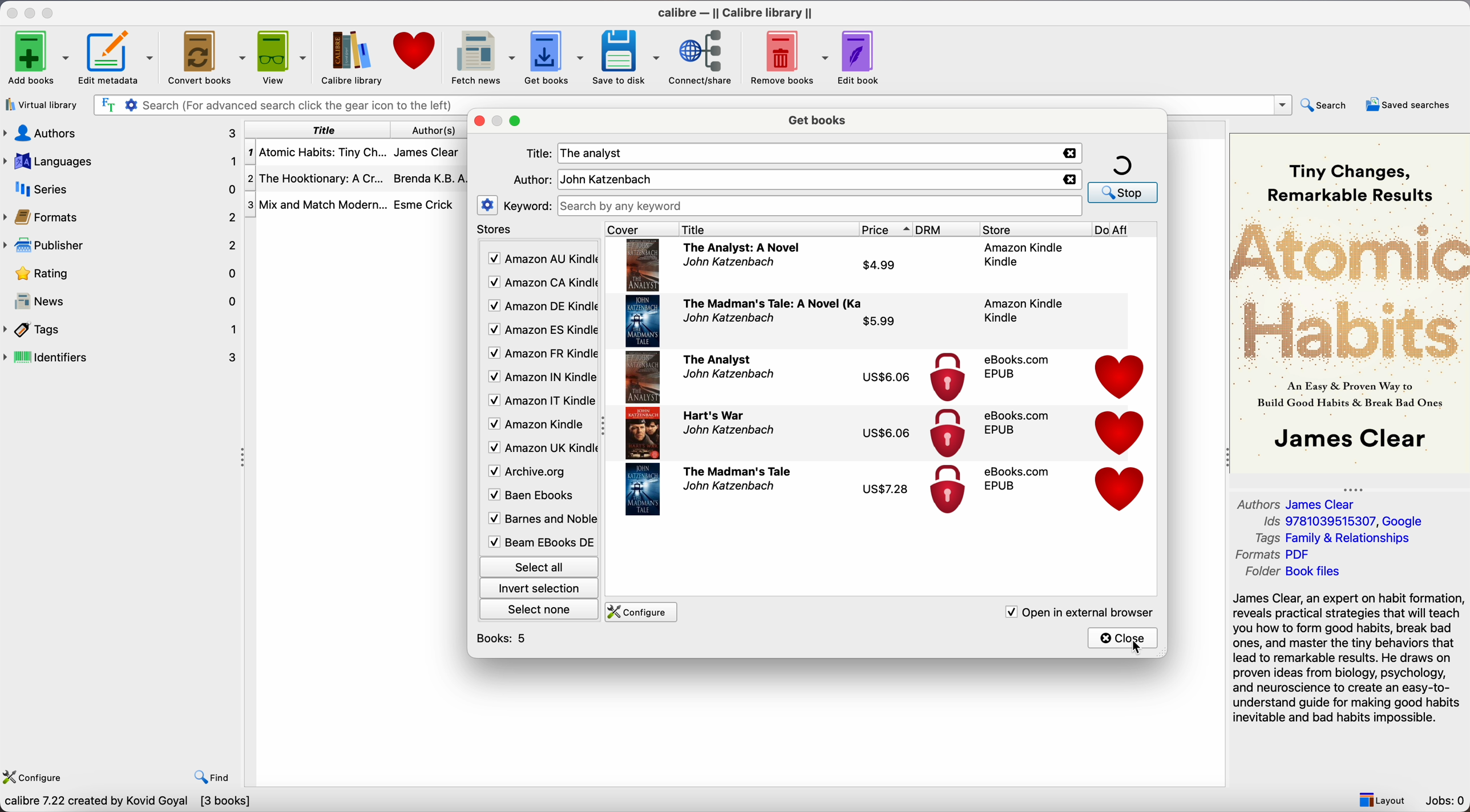 This screenshot has width=1470, height=812. I want to click on Amazon Kindle, so click(538, 426).